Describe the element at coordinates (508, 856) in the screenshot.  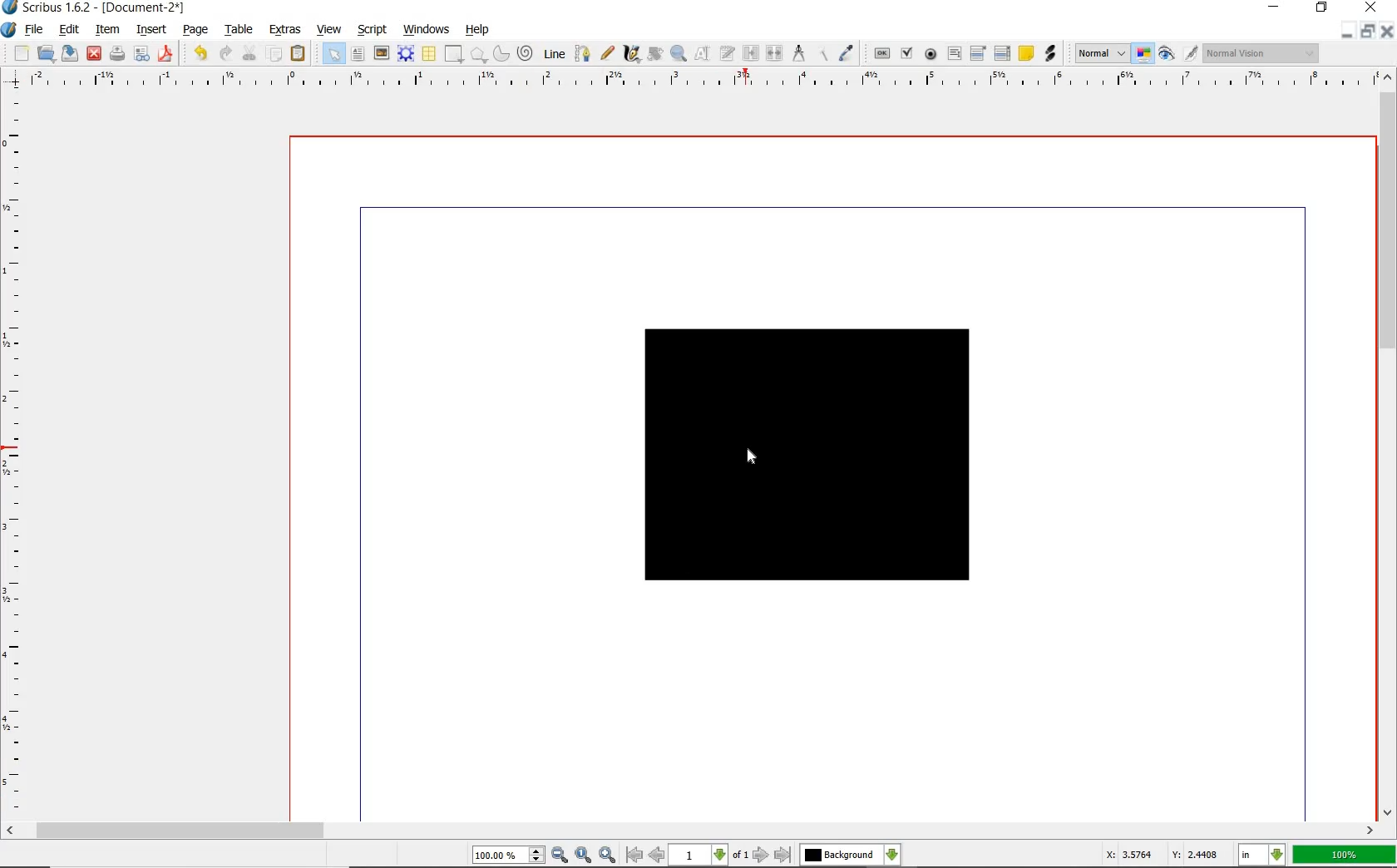
I see `select current zoom level` at that location.